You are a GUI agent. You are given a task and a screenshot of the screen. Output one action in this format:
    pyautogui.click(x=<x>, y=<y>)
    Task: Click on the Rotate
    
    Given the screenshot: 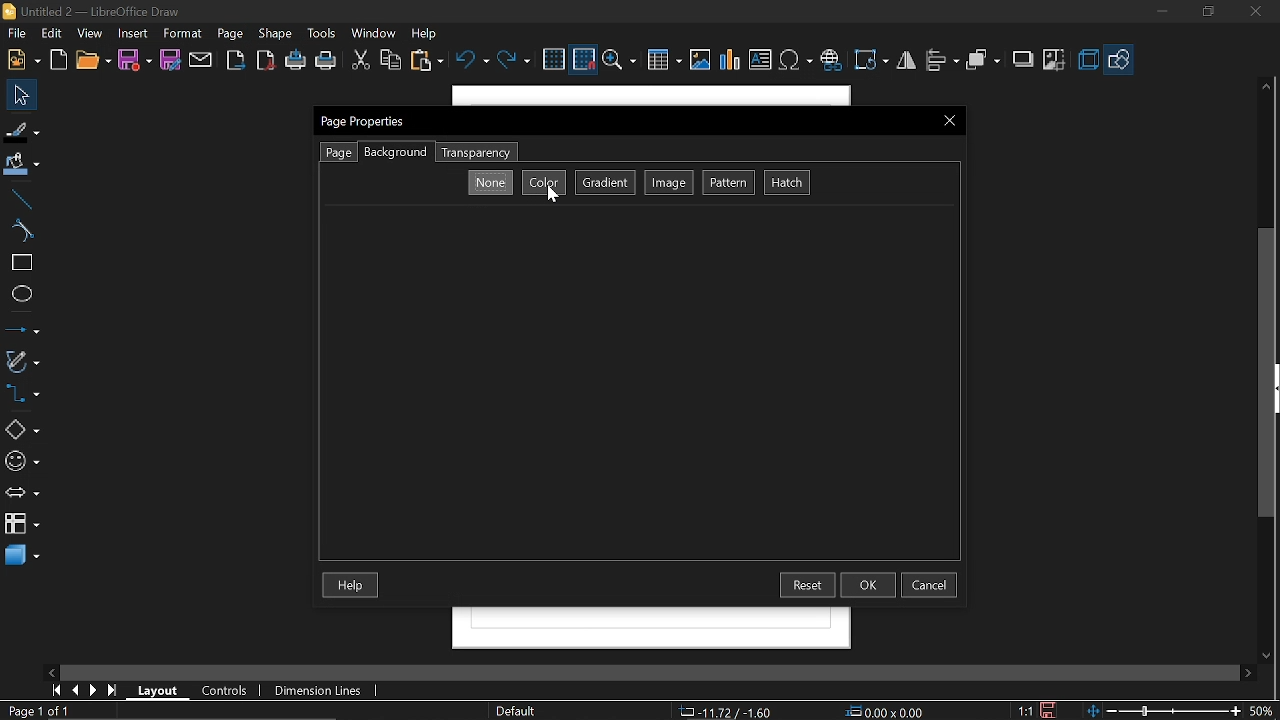 What is the action you would take?
    pyautogui.click(x=872, y=61)
    